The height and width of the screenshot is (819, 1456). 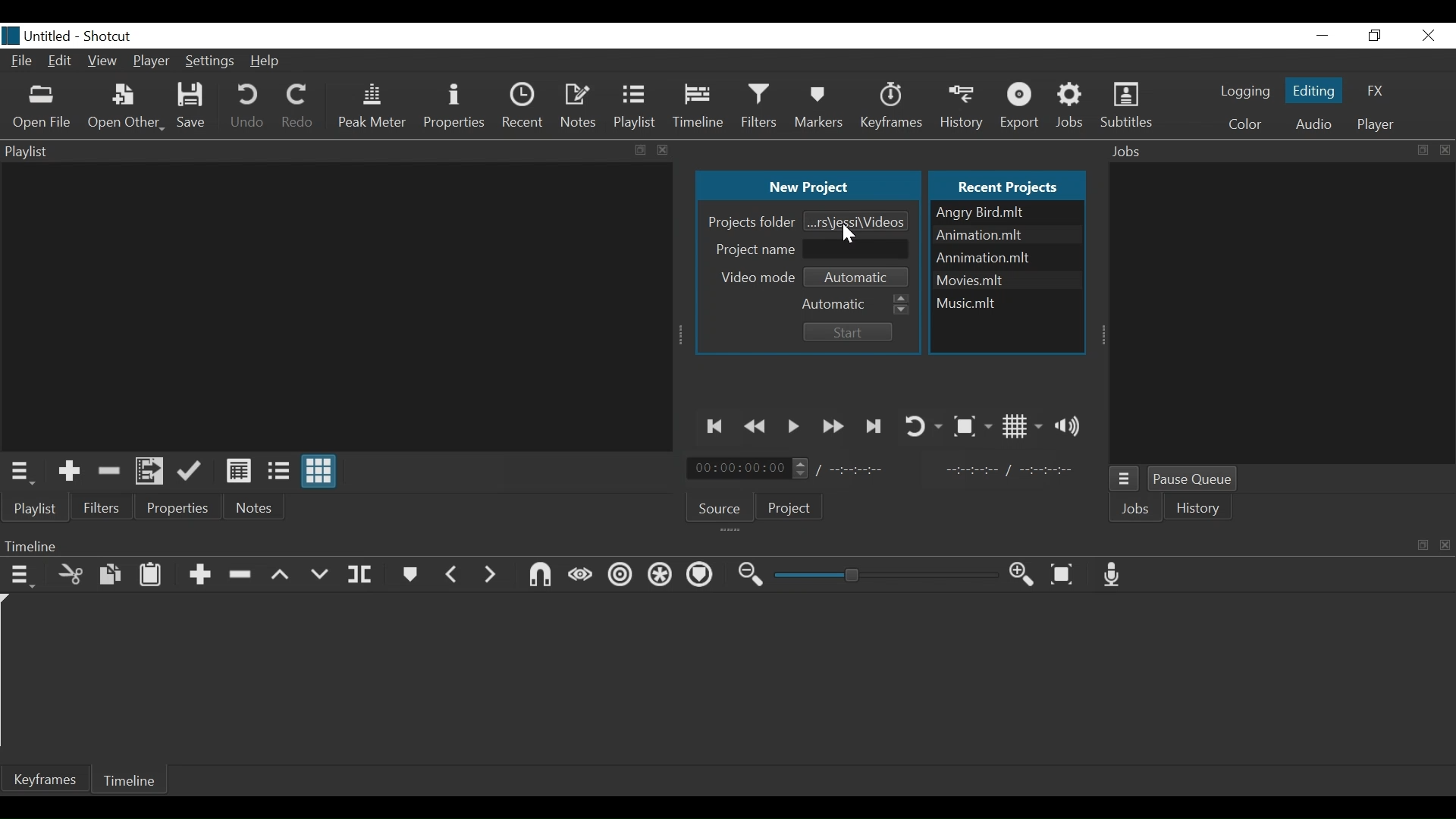 What do you see at coordinates (1022, 426) in the screenshot?
I see `Toggle display grid on player` at bounding box center [1022, 426].